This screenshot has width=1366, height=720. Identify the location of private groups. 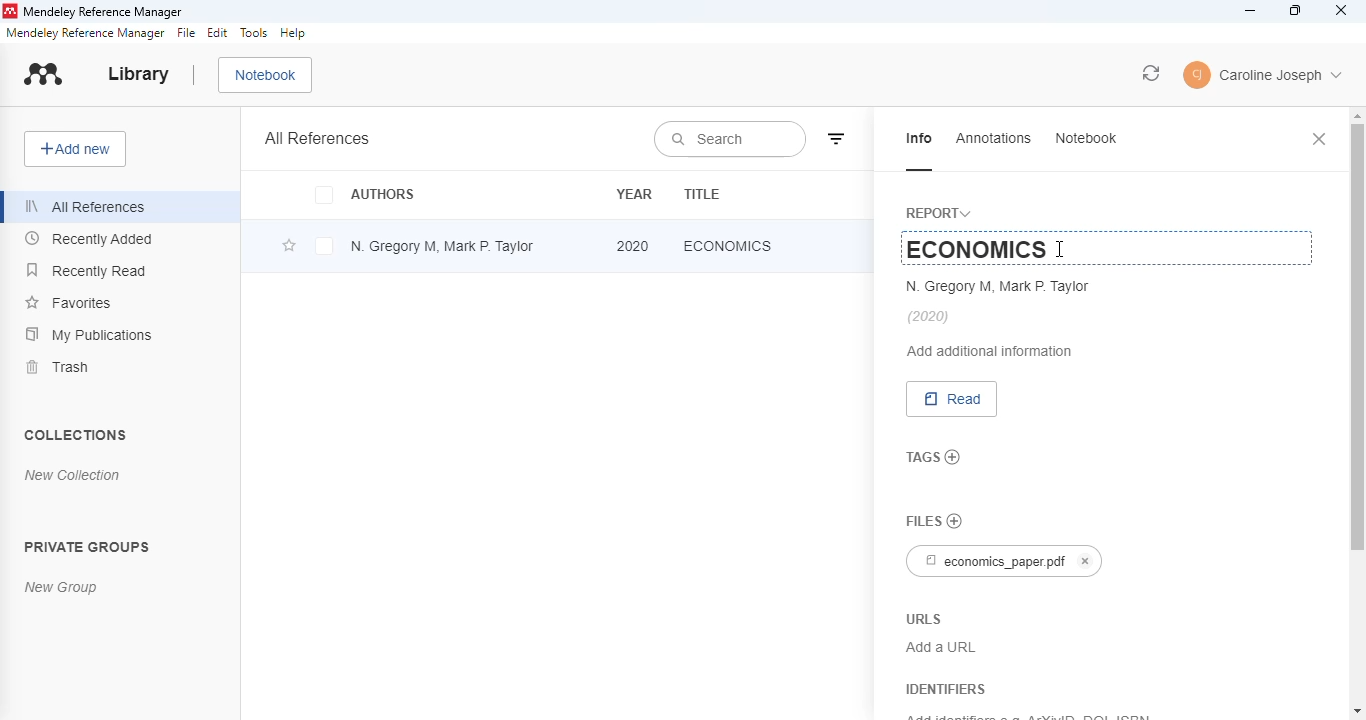
(88, 547).